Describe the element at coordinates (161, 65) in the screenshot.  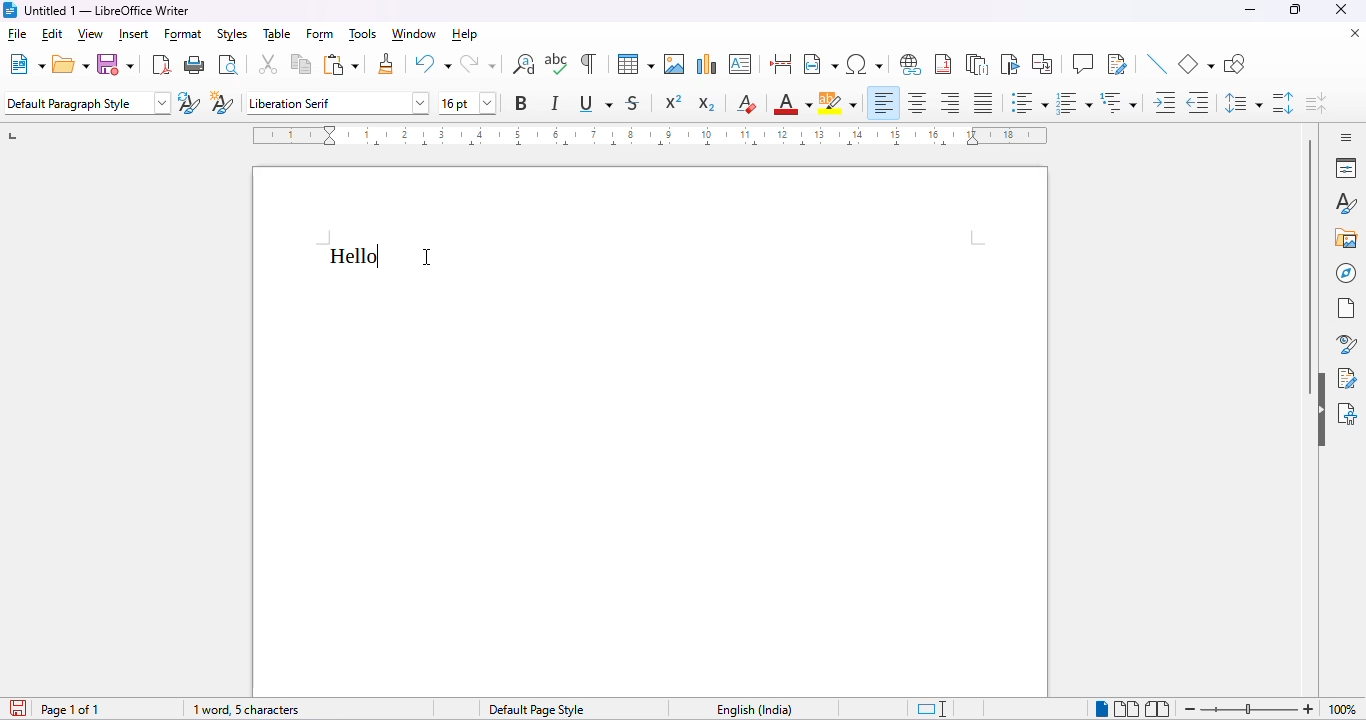
I see `export directly as PDF` at that location.